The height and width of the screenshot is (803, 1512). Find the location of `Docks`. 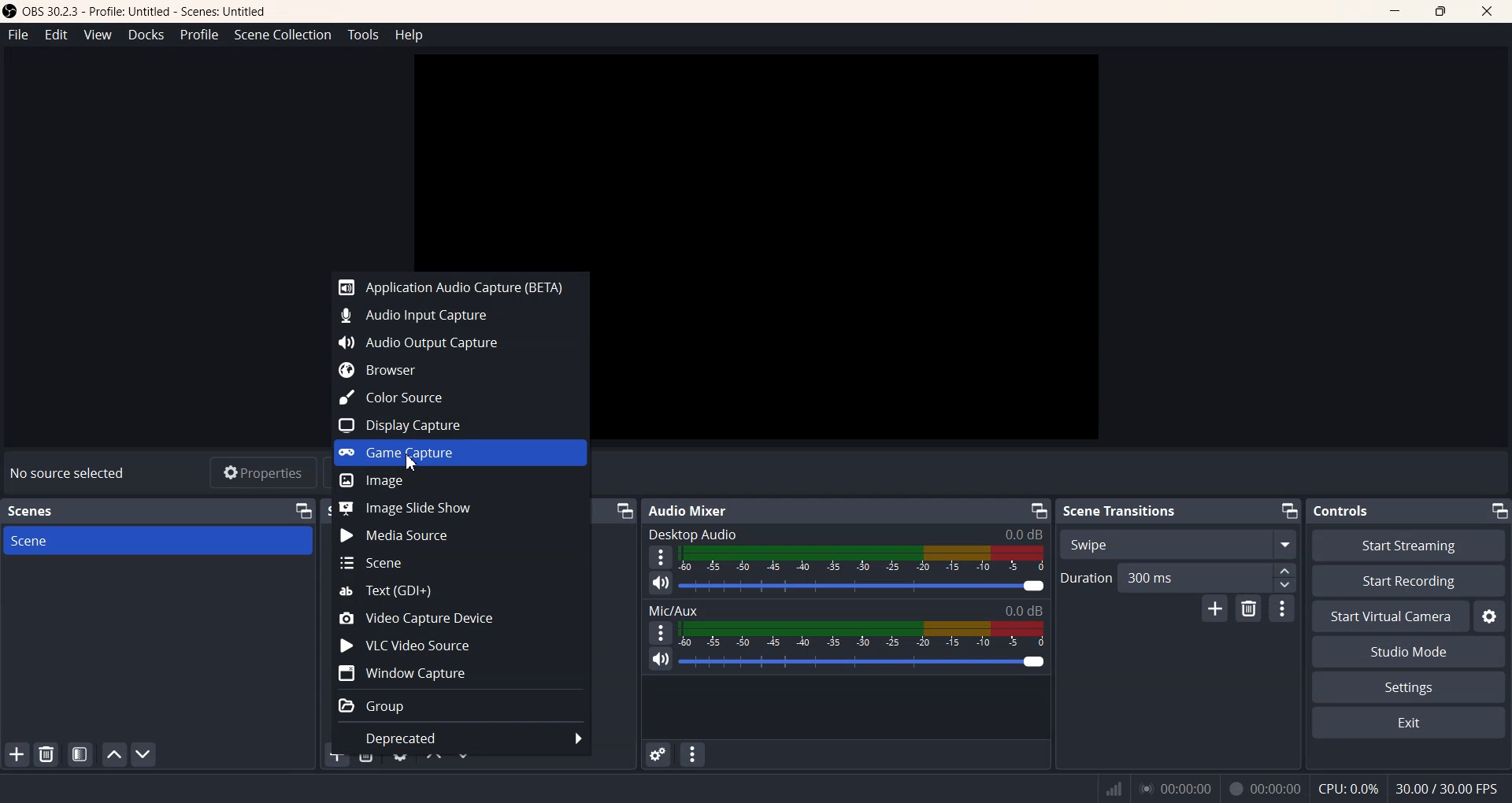

Docks is located at coordinates (144, 35).